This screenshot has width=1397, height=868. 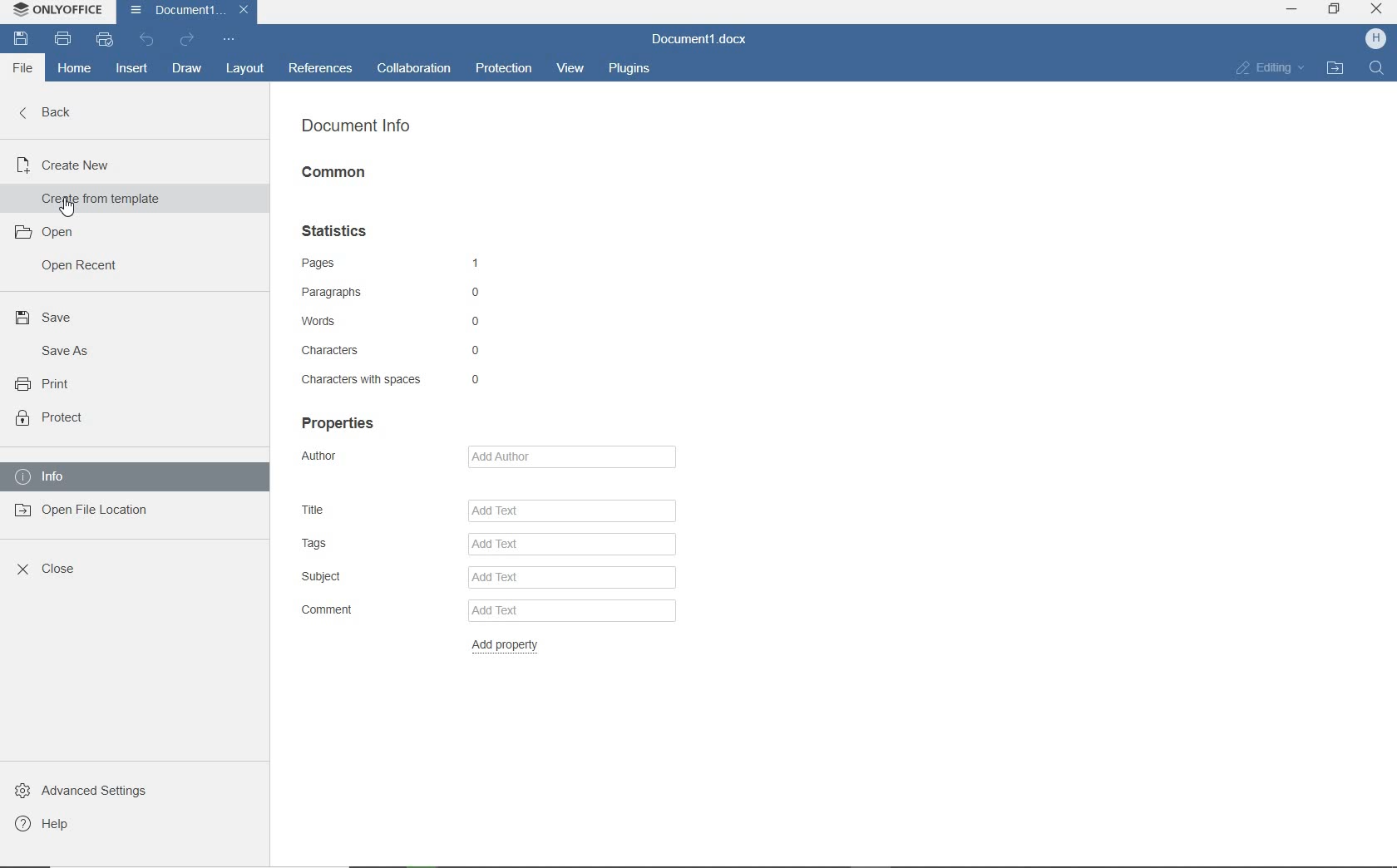 I want to click on create from template, so click(x=99, y=200).